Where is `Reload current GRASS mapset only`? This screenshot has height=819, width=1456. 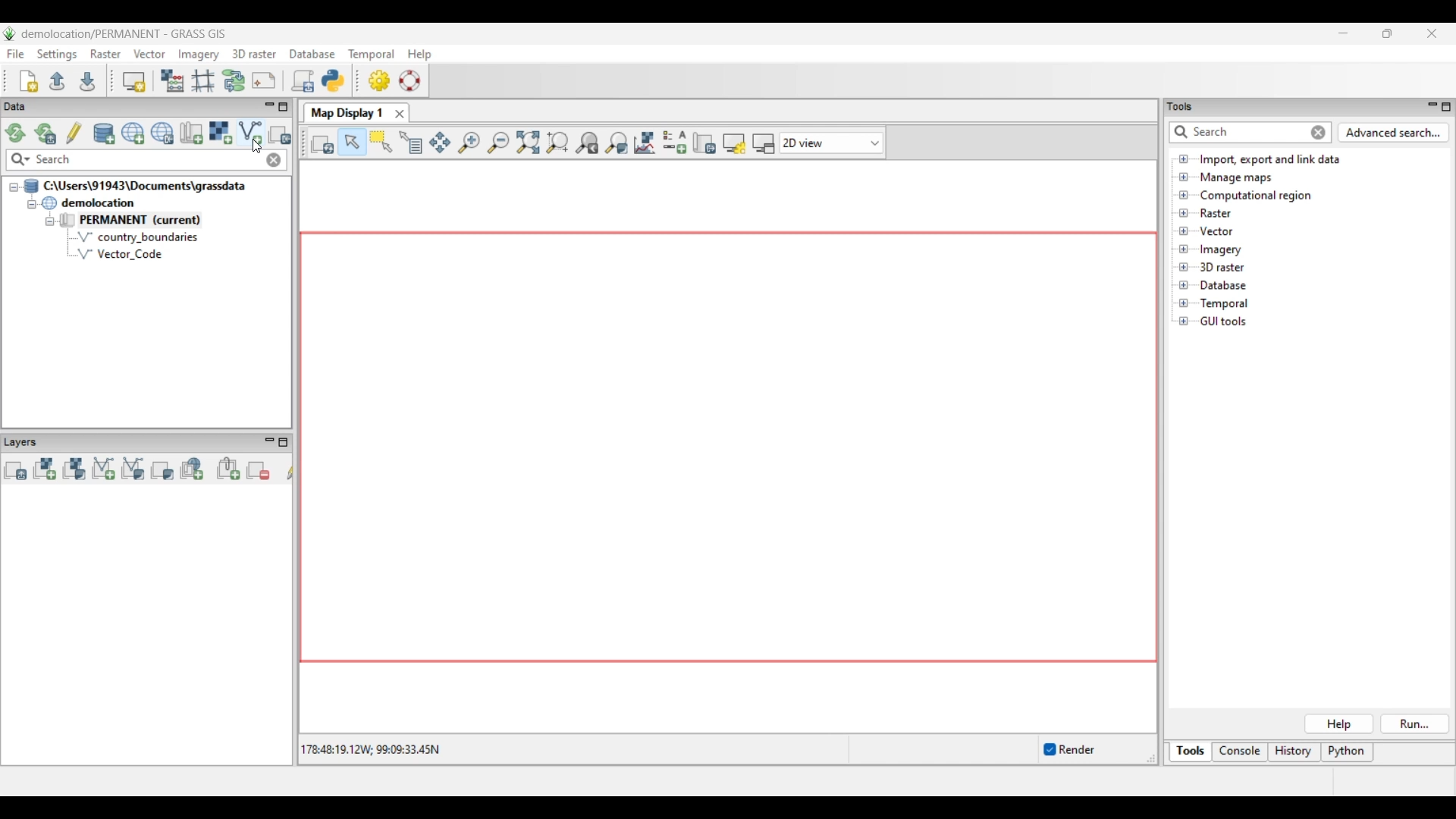
Reload current GRASS mapset only is located at coordinates (45, 133).